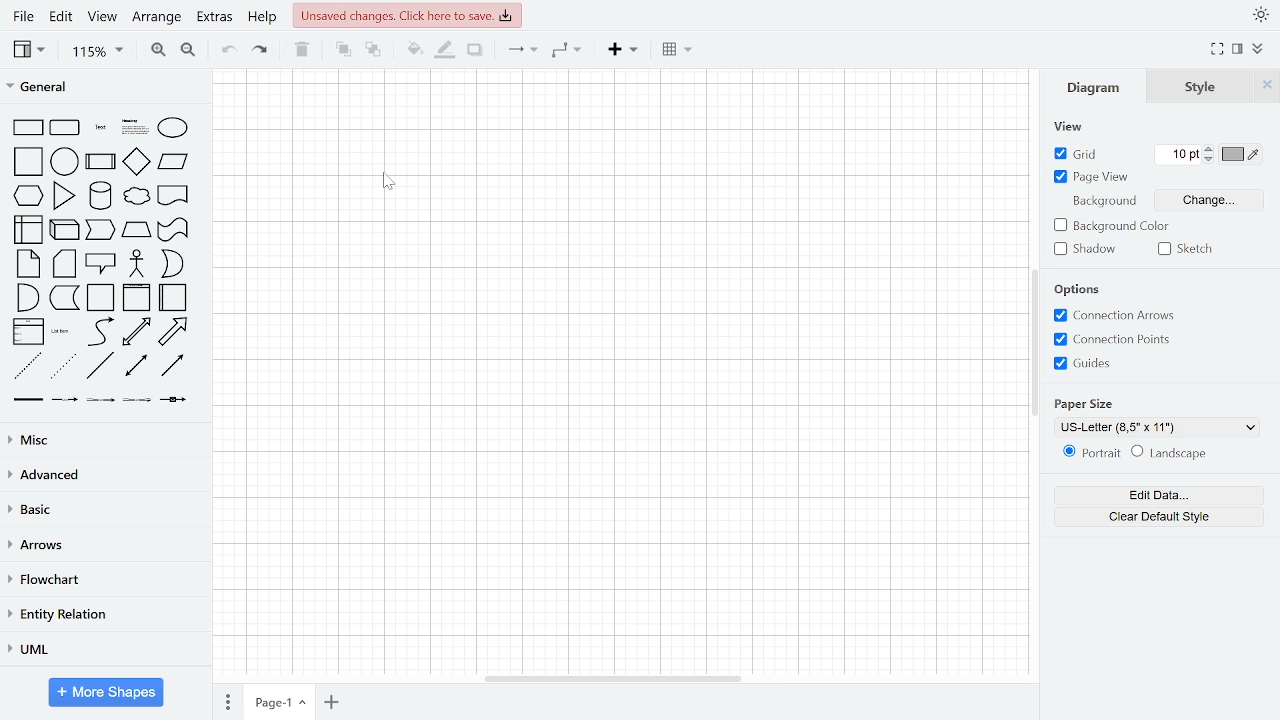 Image resolution: width=1280 pixels, height=720 pixels. Describe the element at coordinates (30, 367) in the screenshot. I see `dashed line` at that location.